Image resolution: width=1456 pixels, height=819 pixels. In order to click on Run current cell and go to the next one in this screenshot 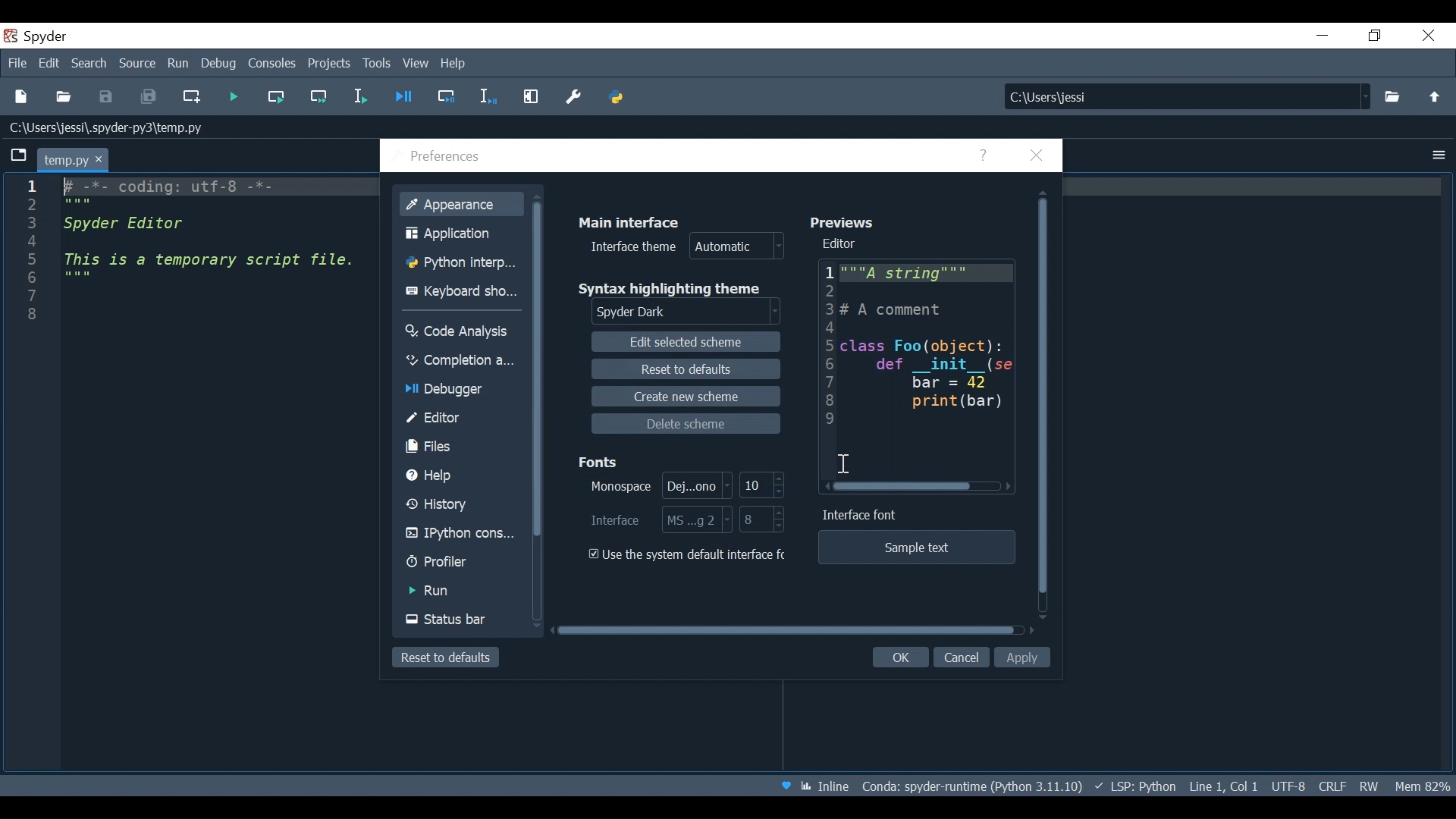, I will do `click(320, 97)`.